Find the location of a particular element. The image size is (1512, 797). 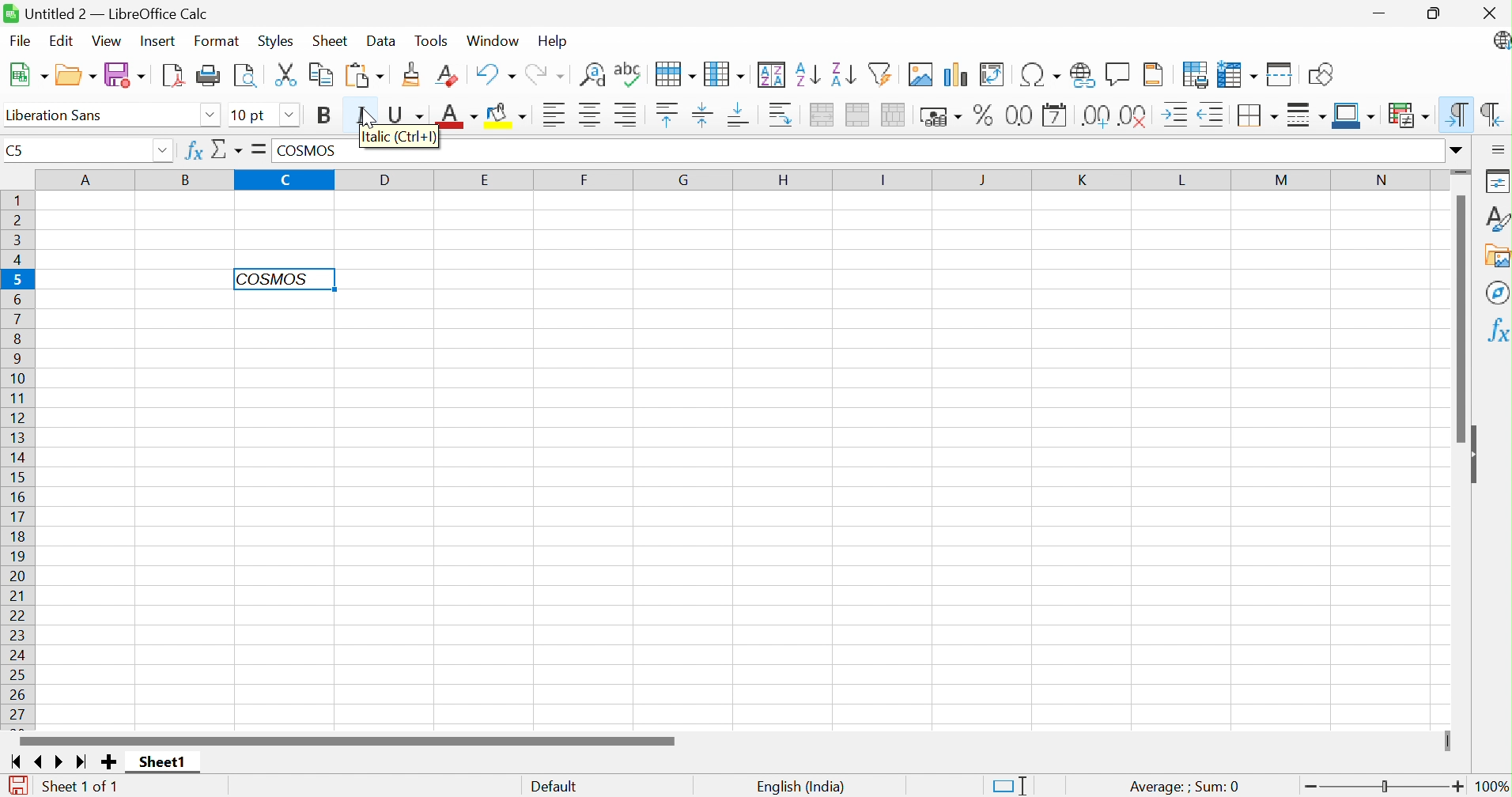

Insert comment is located at coordinates (1116, 74).